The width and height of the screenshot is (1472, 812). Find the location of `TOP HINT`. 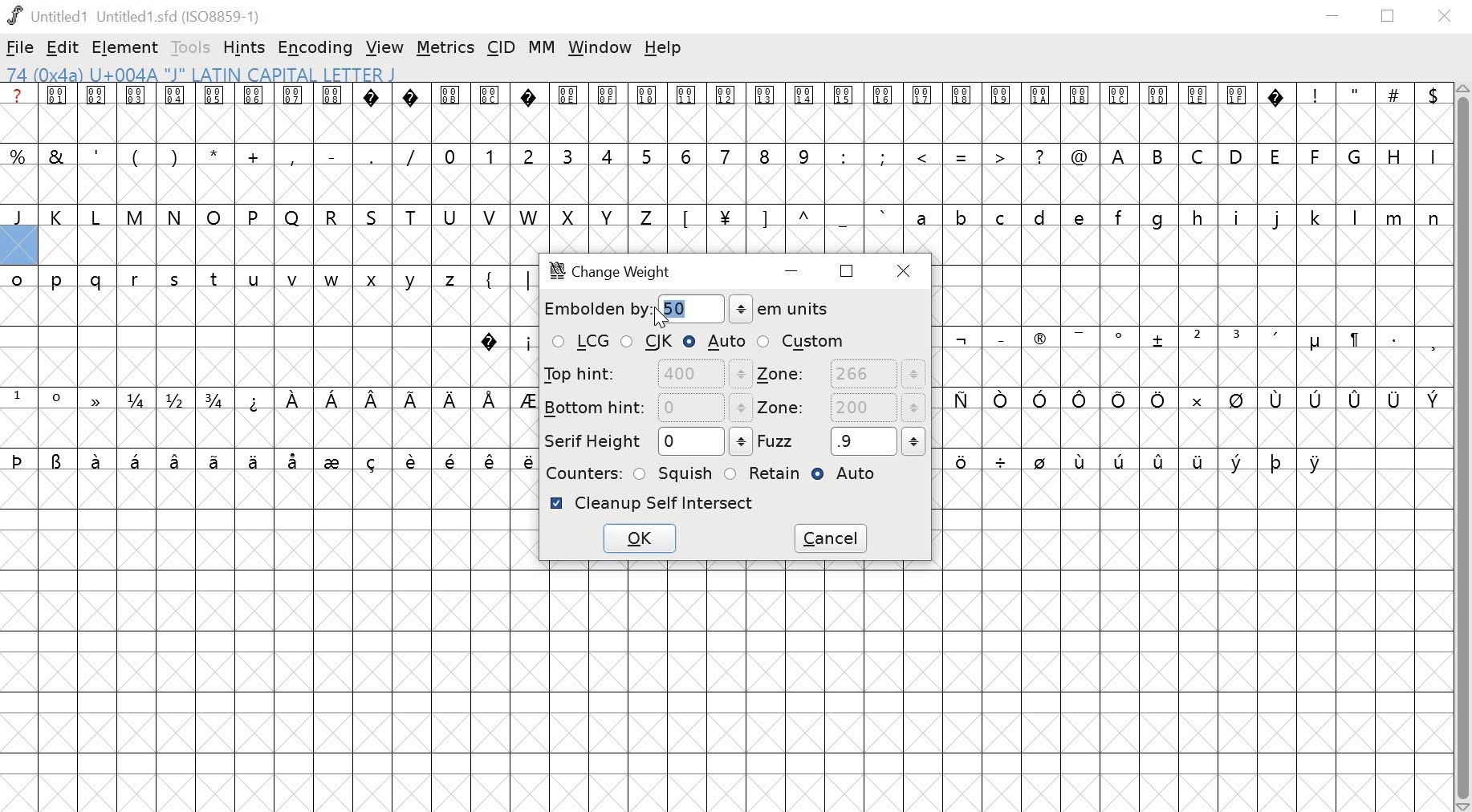

TOP HINT is located at coordinates (645, 374).